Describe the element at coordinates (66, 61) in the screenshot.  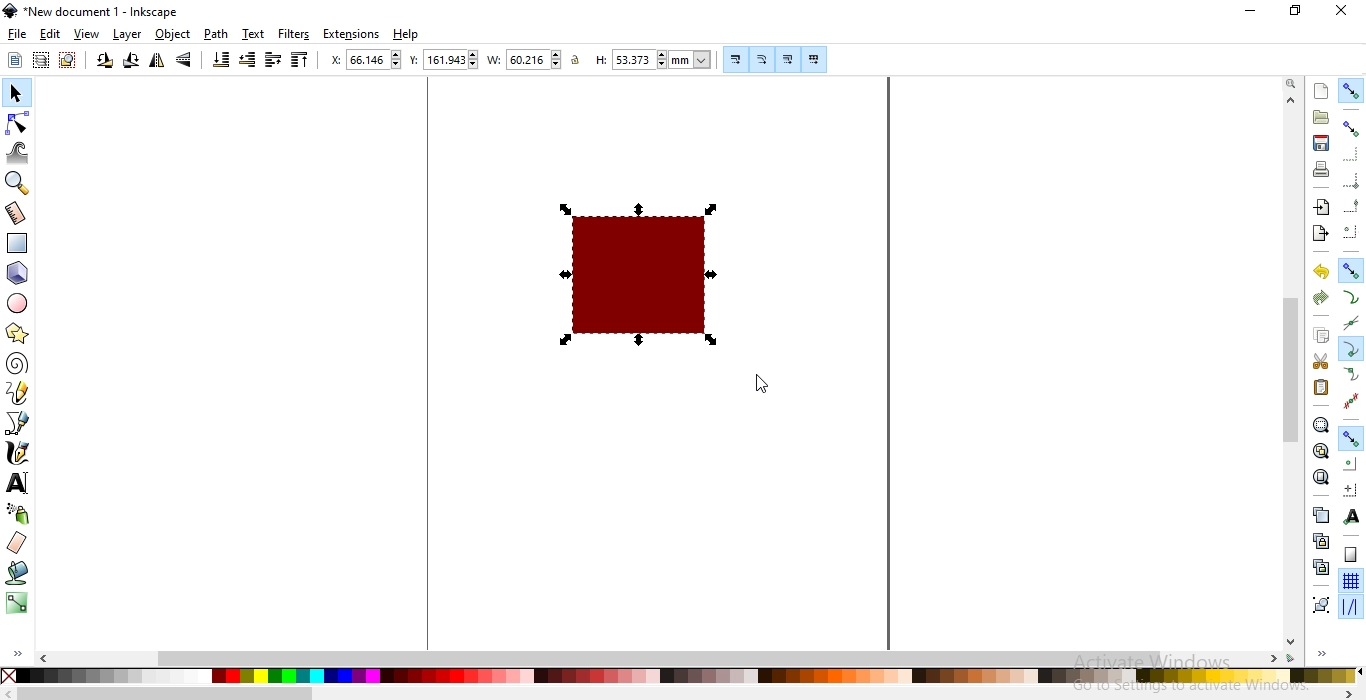
I see `deselect any selected objects or nodes` at that location.